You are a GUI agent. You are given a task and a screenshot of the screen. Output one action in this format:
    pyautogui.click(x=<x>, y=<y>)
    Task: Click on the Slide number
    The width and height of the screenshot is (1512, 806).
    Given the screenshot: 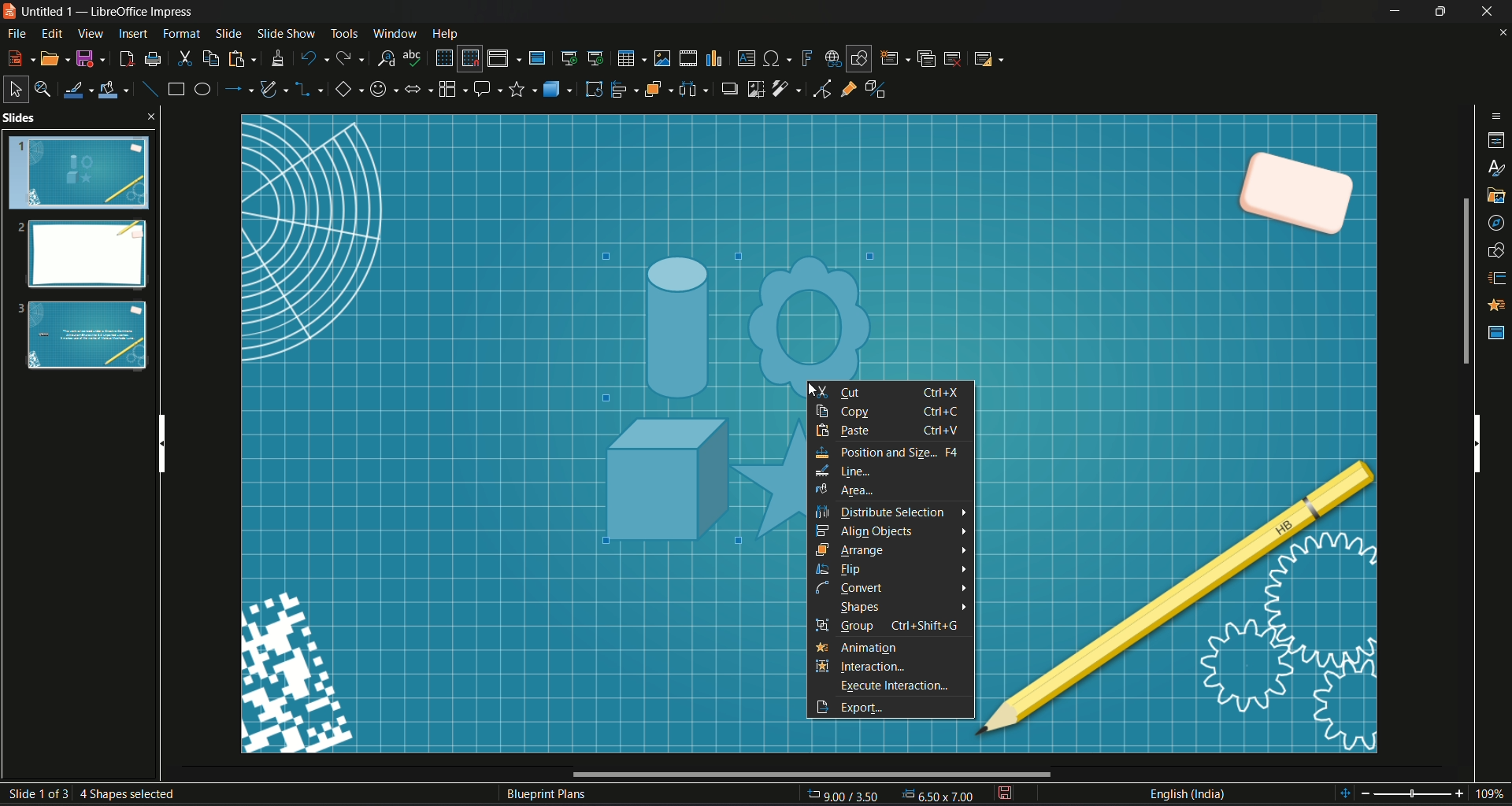 What is the action you would take?
    pyautogui.click(x=98, y=791)
    